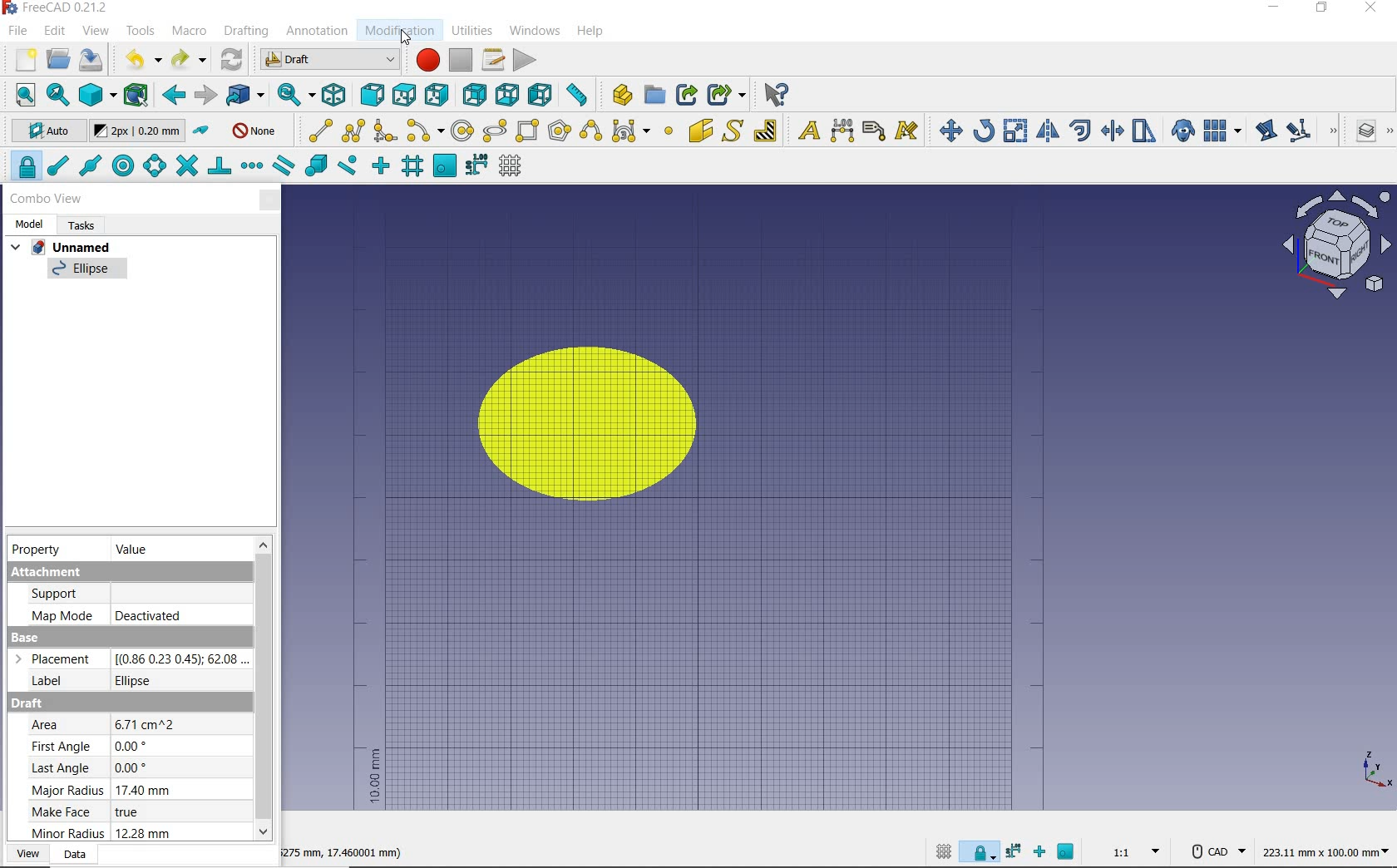 Image resolution: width=1397 pixels, height=868 pixels. What do you see at coordinates (590, 131) in the screenshot?
I see `b-spline` at bounding box center [590, 131].